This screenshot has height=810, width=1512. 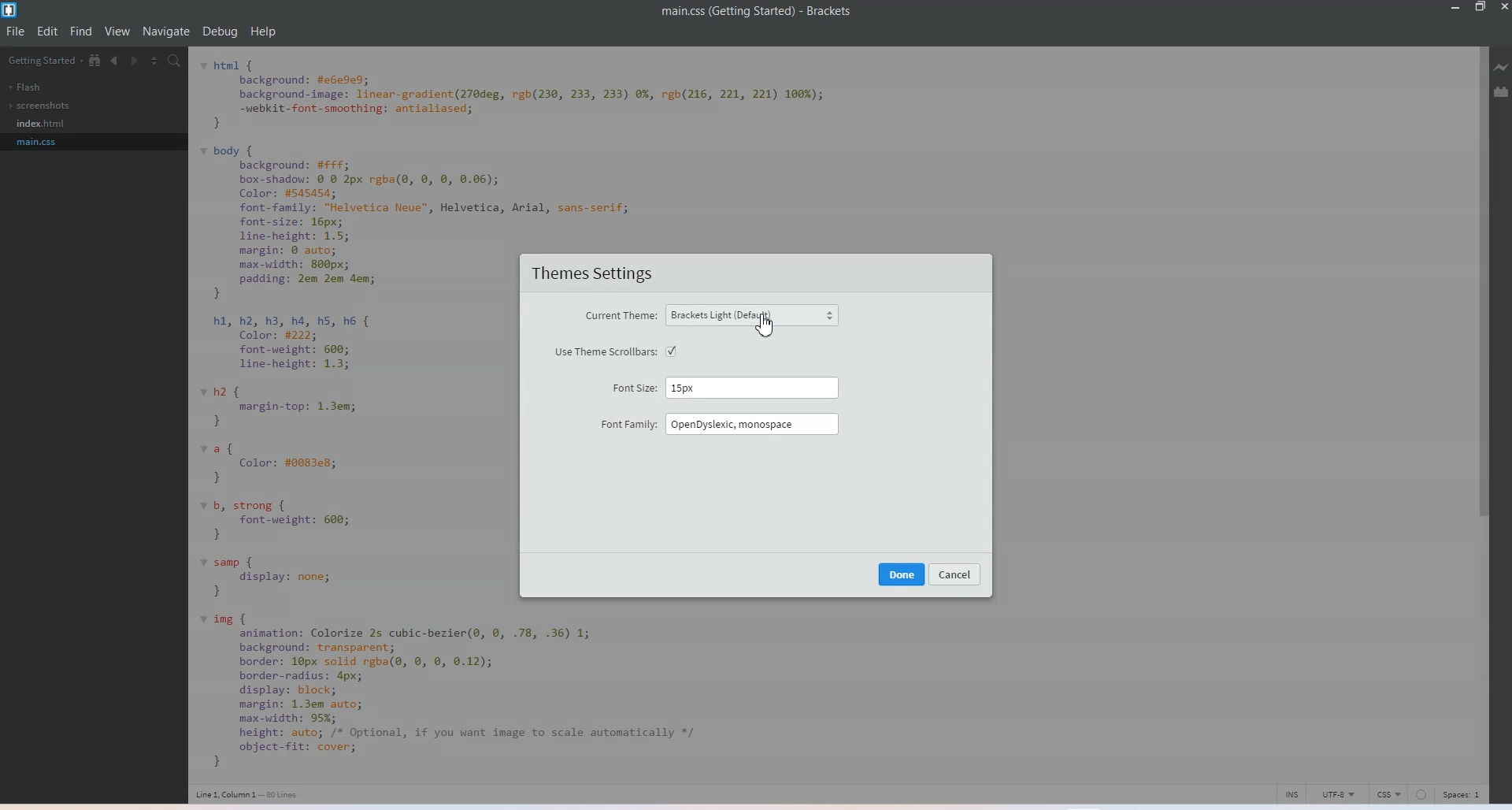 I want to click on Text 1, so click(x=757, y=12).